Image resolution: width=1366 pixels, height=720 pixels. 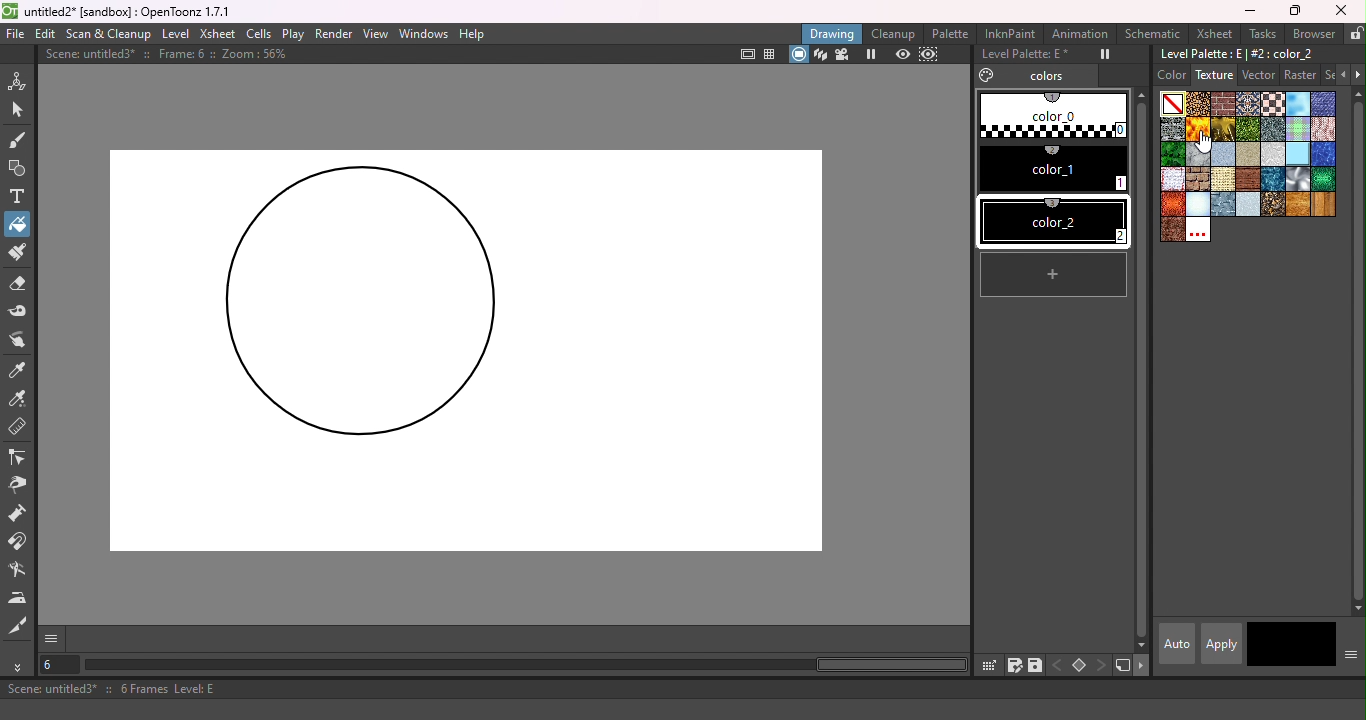 What do you see at coordinates (1265, 644) in the screenshot?
I see `Current style` at bounding box center [1265, 644].